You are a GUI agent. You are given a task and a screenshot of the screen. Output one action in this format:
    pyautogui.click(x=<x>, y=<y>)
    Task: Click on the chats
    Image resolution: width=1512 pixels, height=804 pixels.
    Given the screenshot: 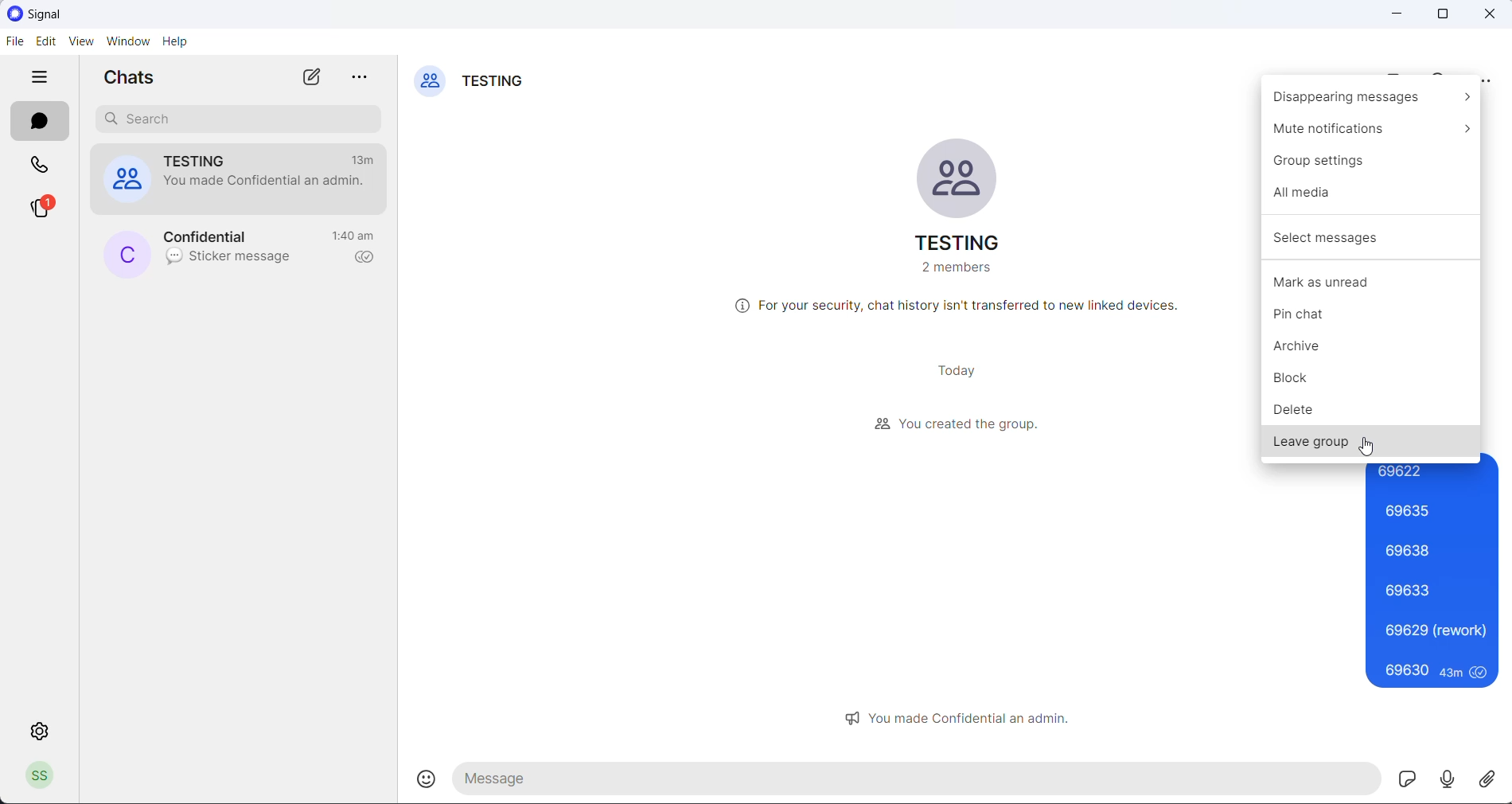 What is the action you would take?
    pyautogui.click(x=41, y=120)
    